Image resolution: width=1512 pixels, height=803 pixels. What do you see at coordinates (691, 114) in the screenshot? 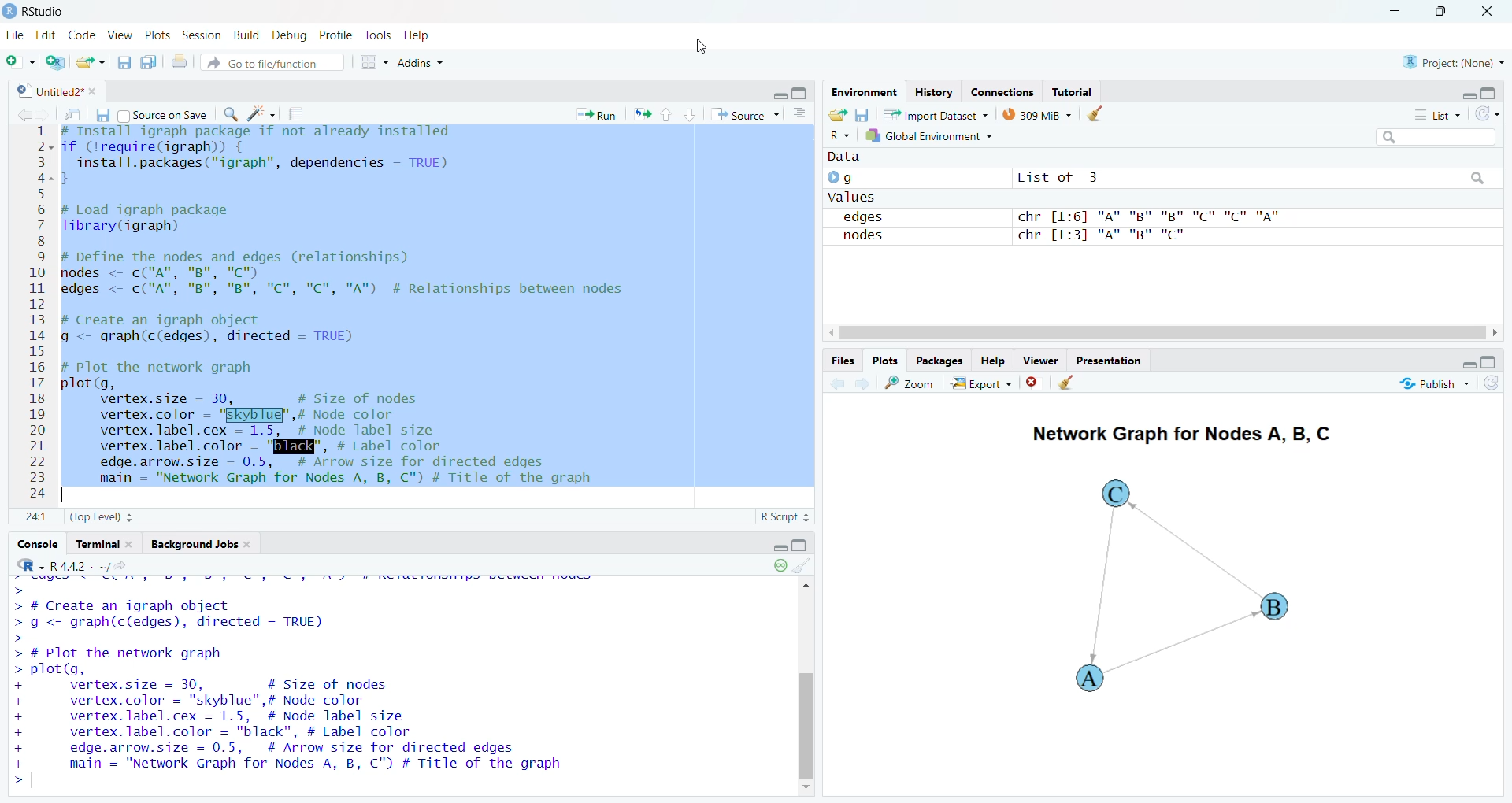
I see `downward` at bounding box center [691, 114].